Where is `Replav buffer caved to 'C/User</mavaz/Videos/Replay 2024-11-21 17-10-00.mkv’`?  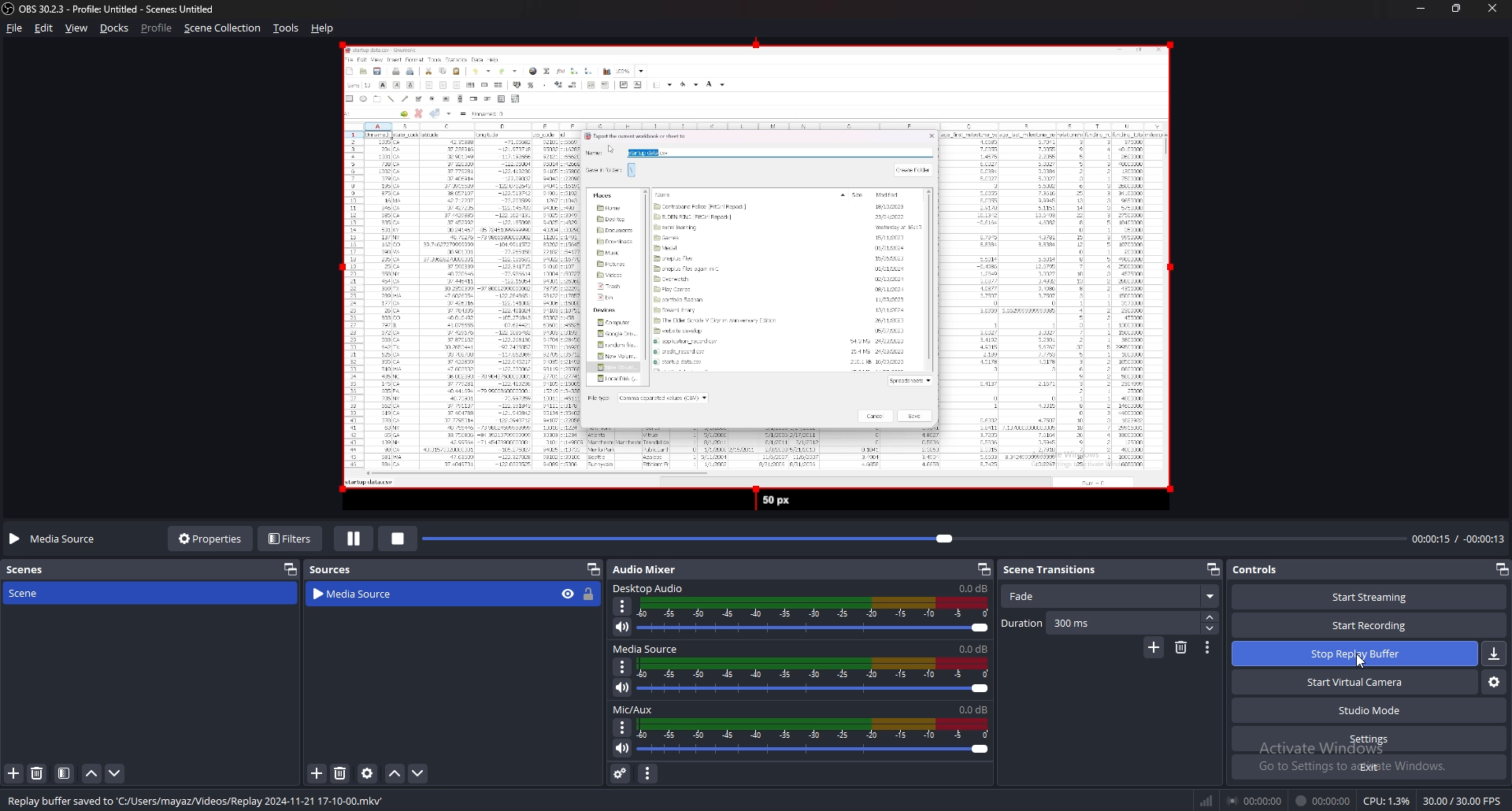
Replav buffer caved to 'C/User</mavaz/Videos/Replay 2024-11-21 17-10-00.mkv’ is located at coordinates (201, 799).